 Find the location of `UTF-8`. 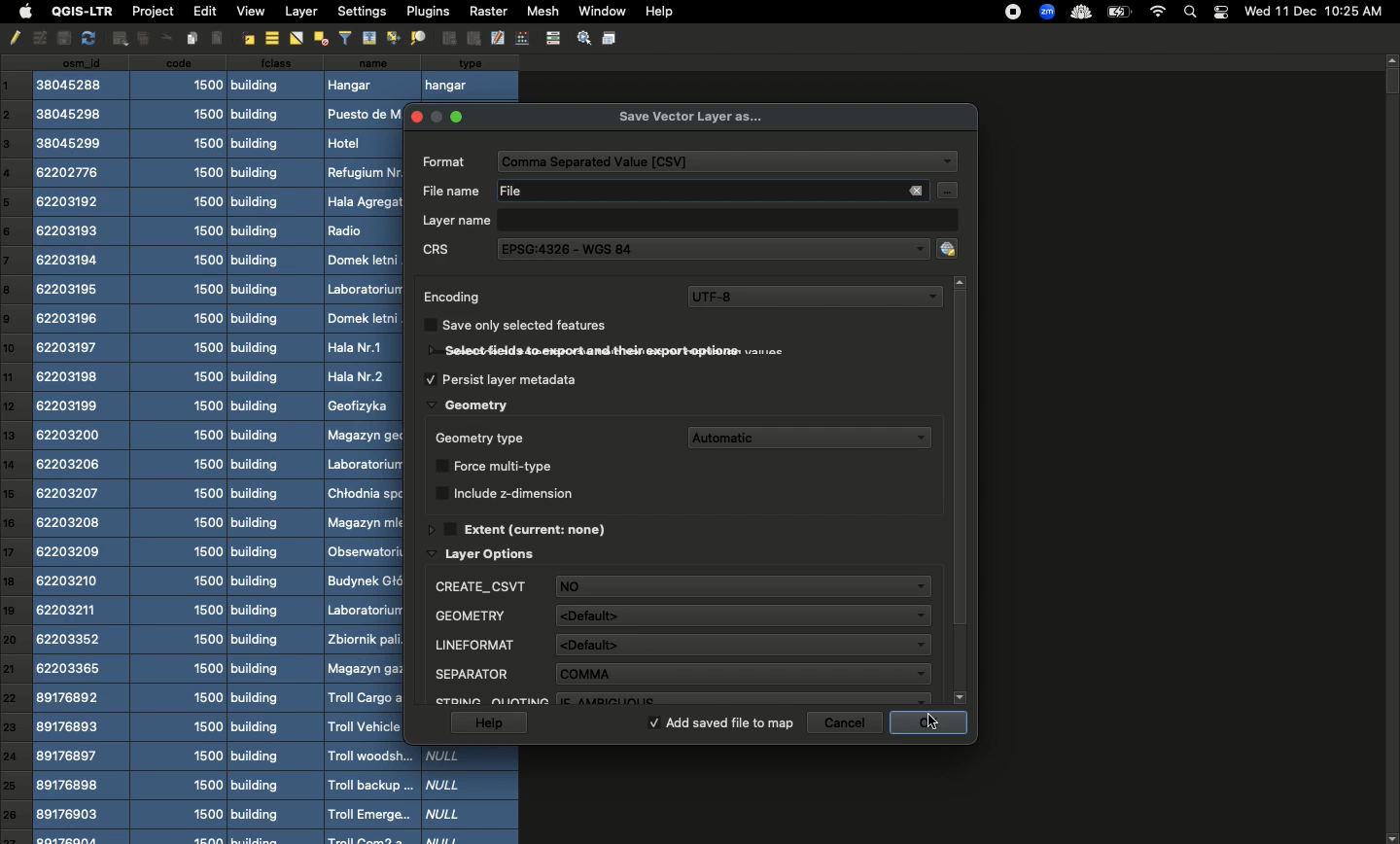

UTF-8 is located at coordinates (815, 298).